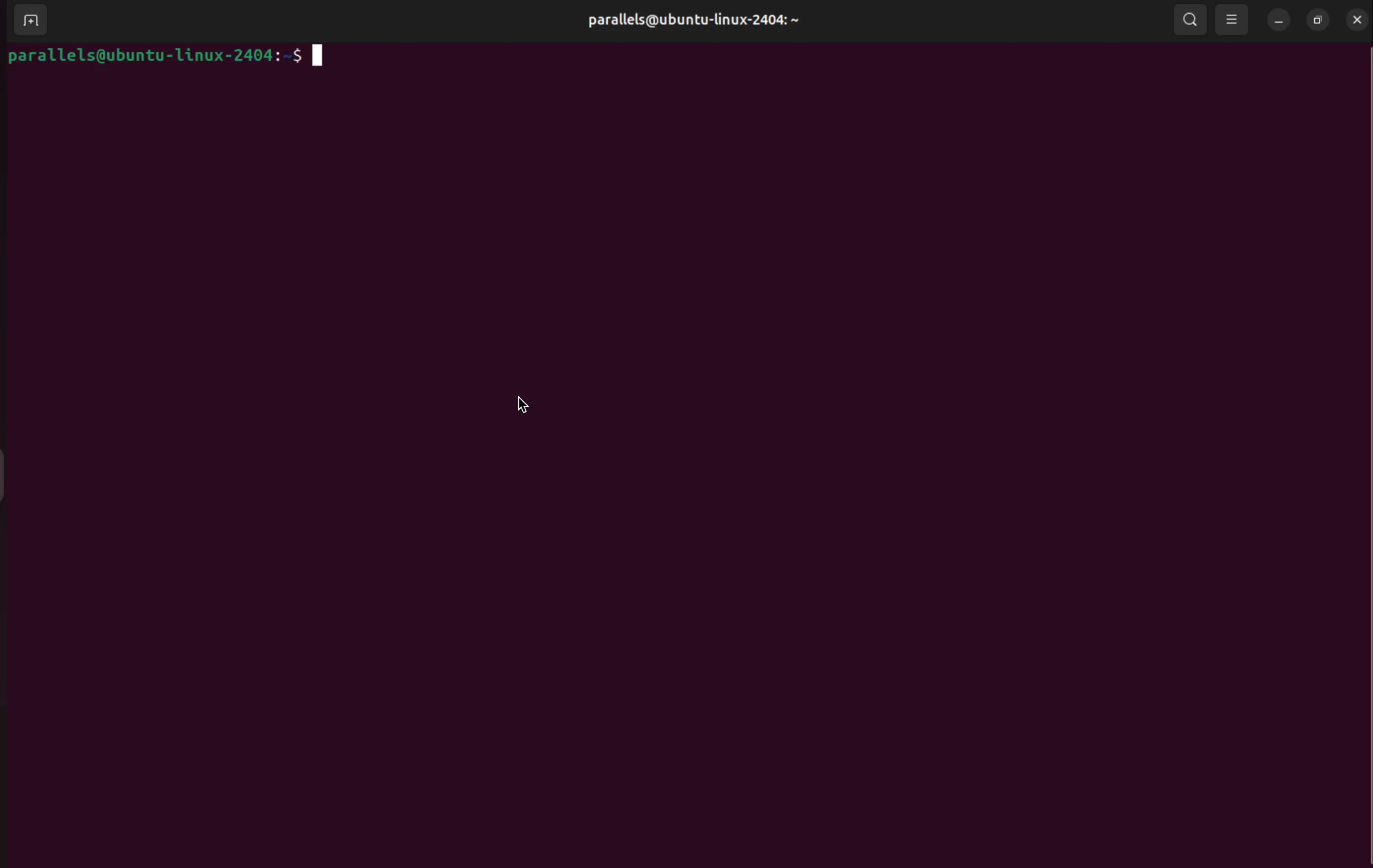  Describe the element at coordinates (166, 59) in the screenshot. I see `bash prompt` at that location.